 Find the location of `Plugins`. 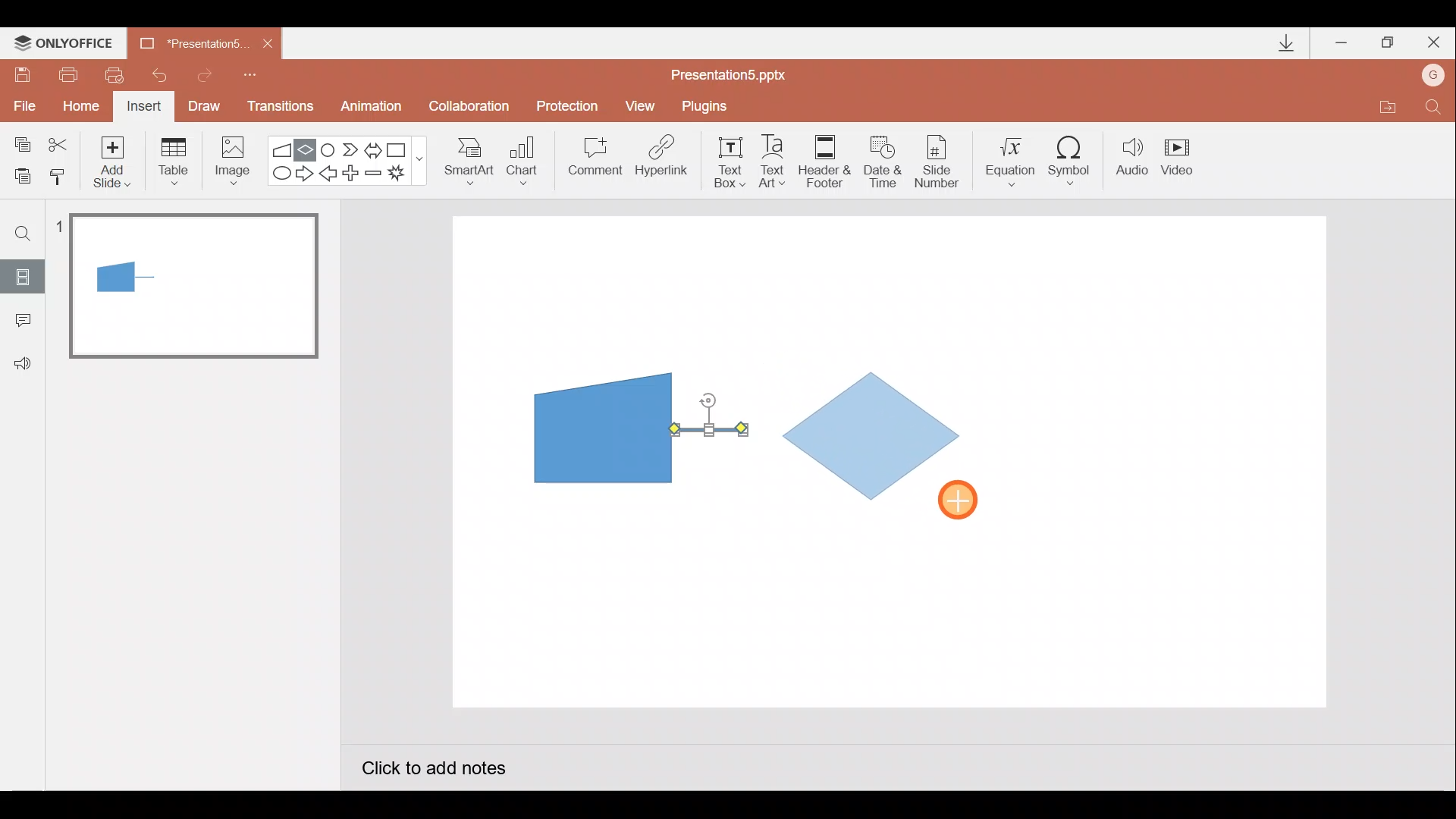

Plugins is located at coordinates (708, 106).